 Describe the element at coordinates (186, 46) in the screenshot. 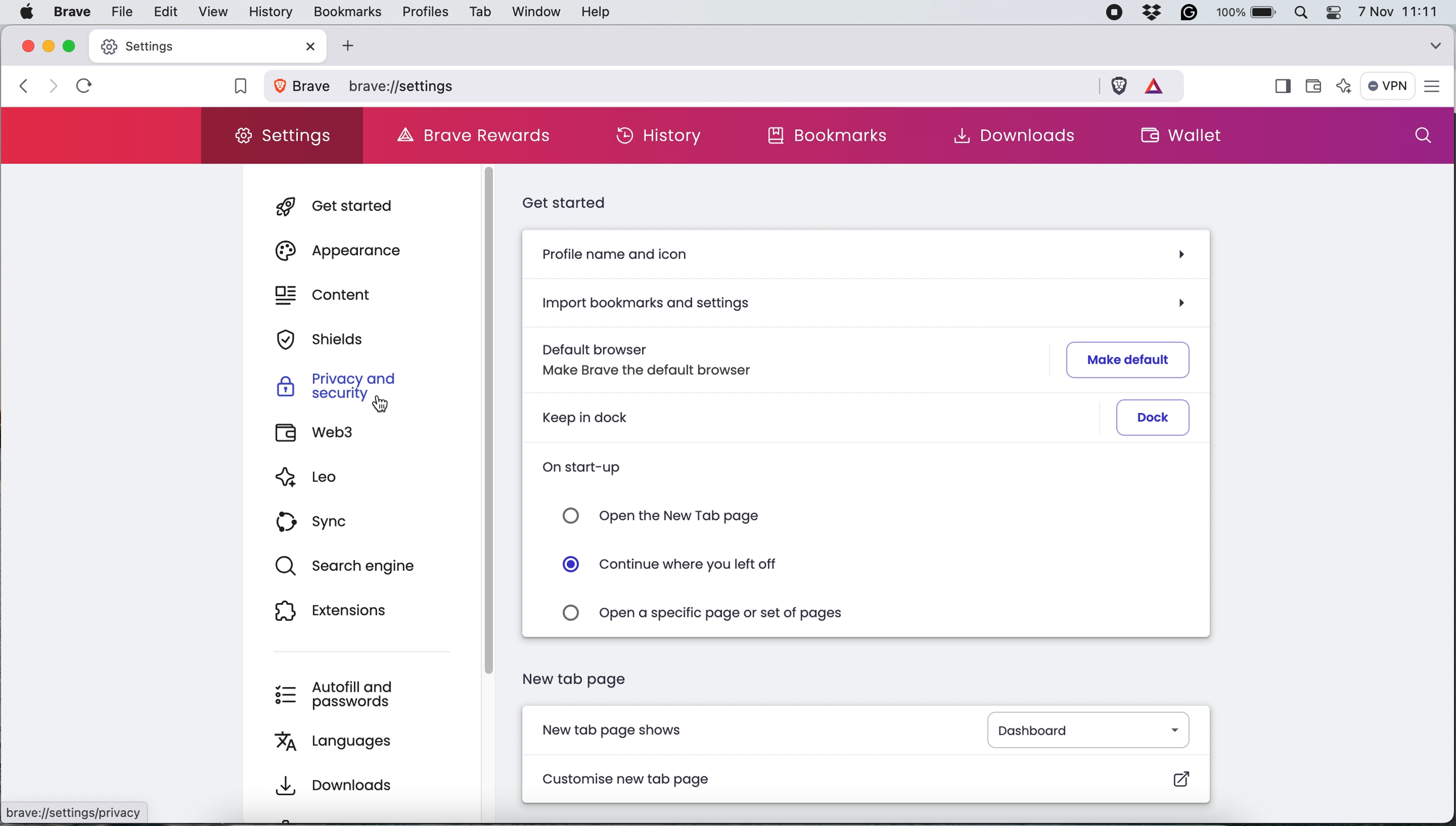

I see `new tab` at that location.